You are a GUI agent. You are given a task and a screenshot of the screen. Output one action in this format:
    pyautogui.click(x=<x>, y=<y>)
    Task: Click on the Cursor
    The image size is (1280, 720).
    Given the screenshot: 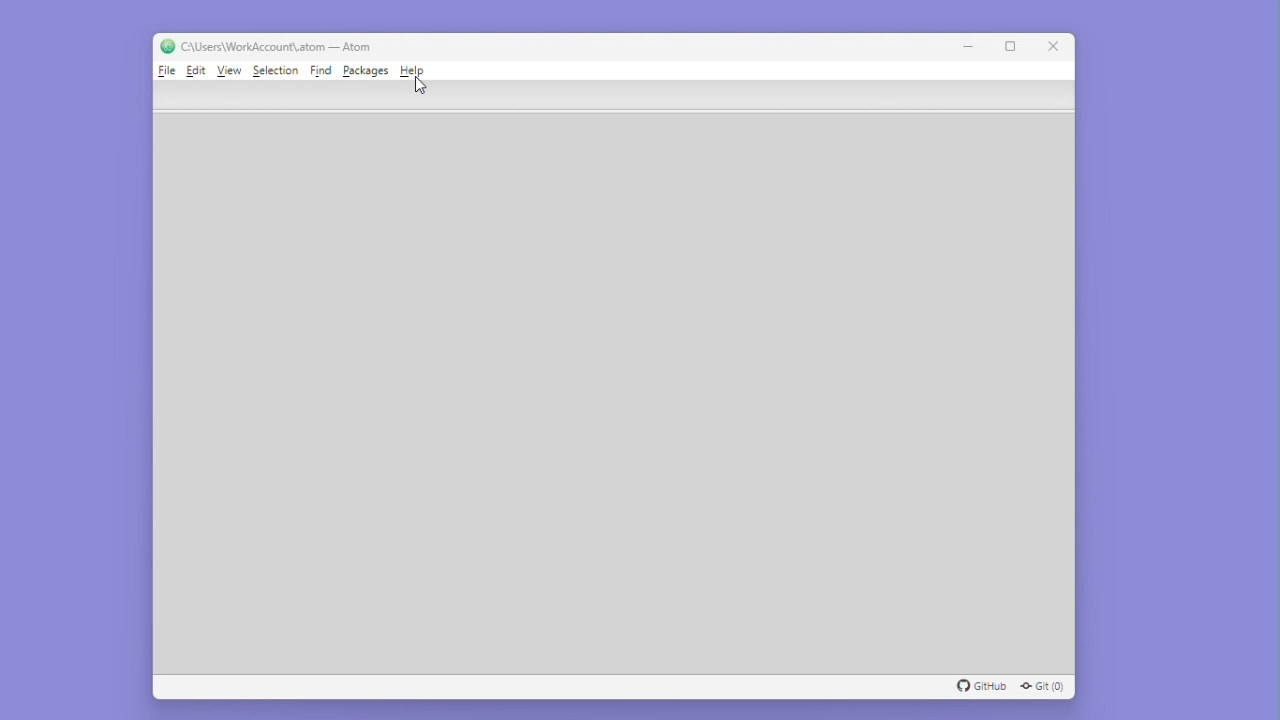 What is the action you would take?
    pyautogui.click(x=419, y=84)
    